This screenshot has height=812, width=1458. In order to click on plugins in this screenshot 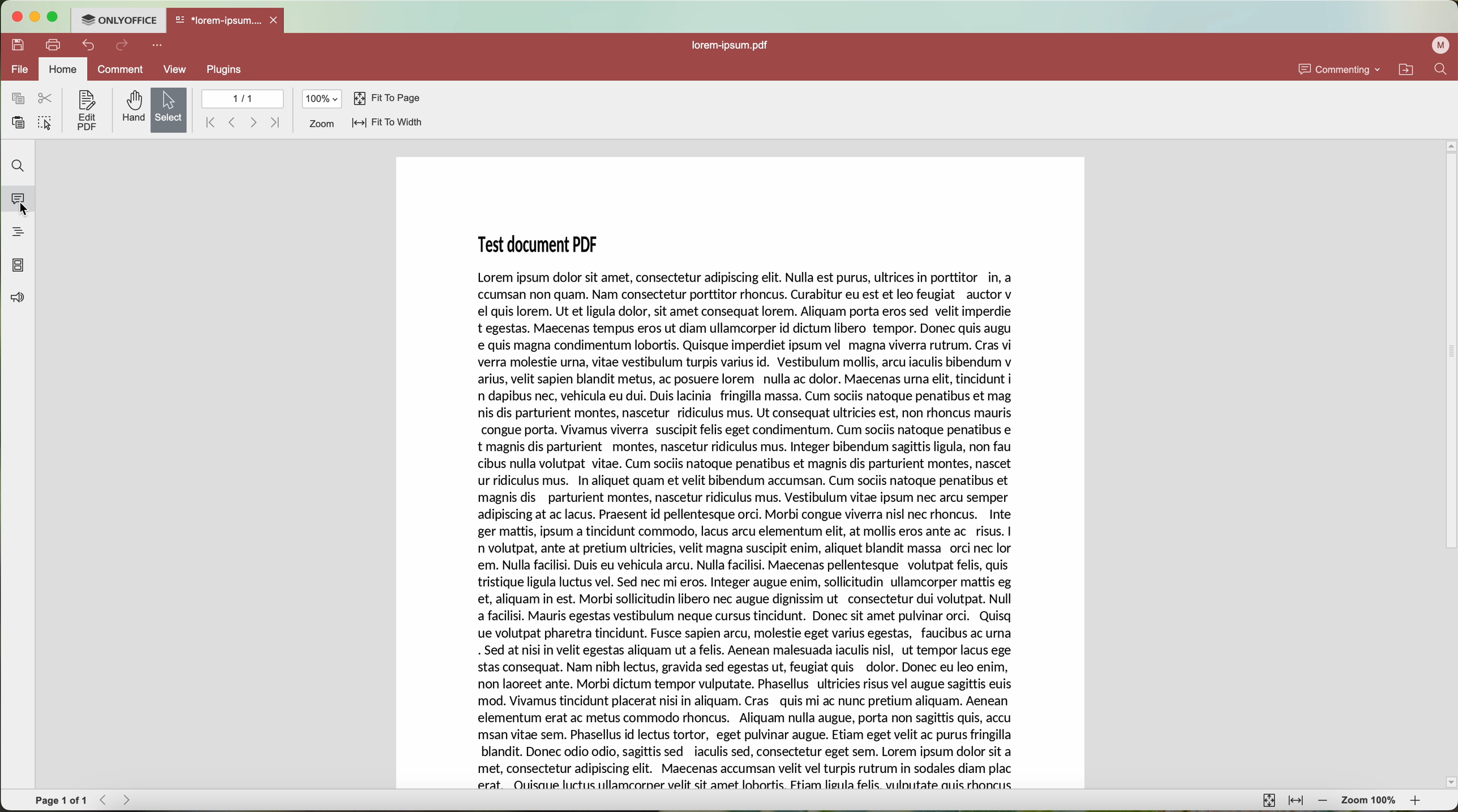, I will do `click(223, 71)`.